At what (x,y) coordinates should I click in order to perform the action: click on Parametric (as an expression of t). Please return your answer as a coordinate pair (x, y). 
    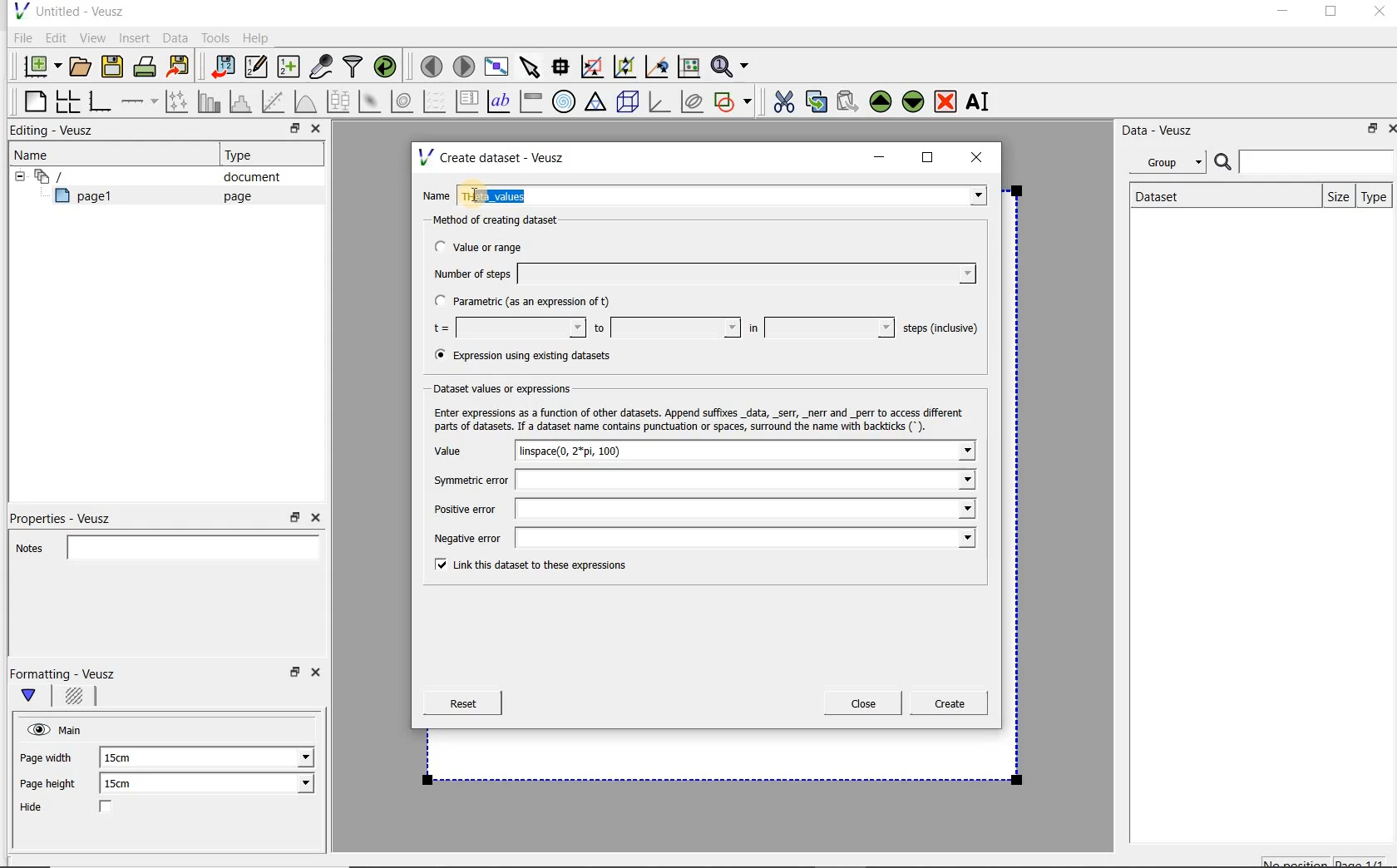
    Looking at the image, I should click on (530, 302).